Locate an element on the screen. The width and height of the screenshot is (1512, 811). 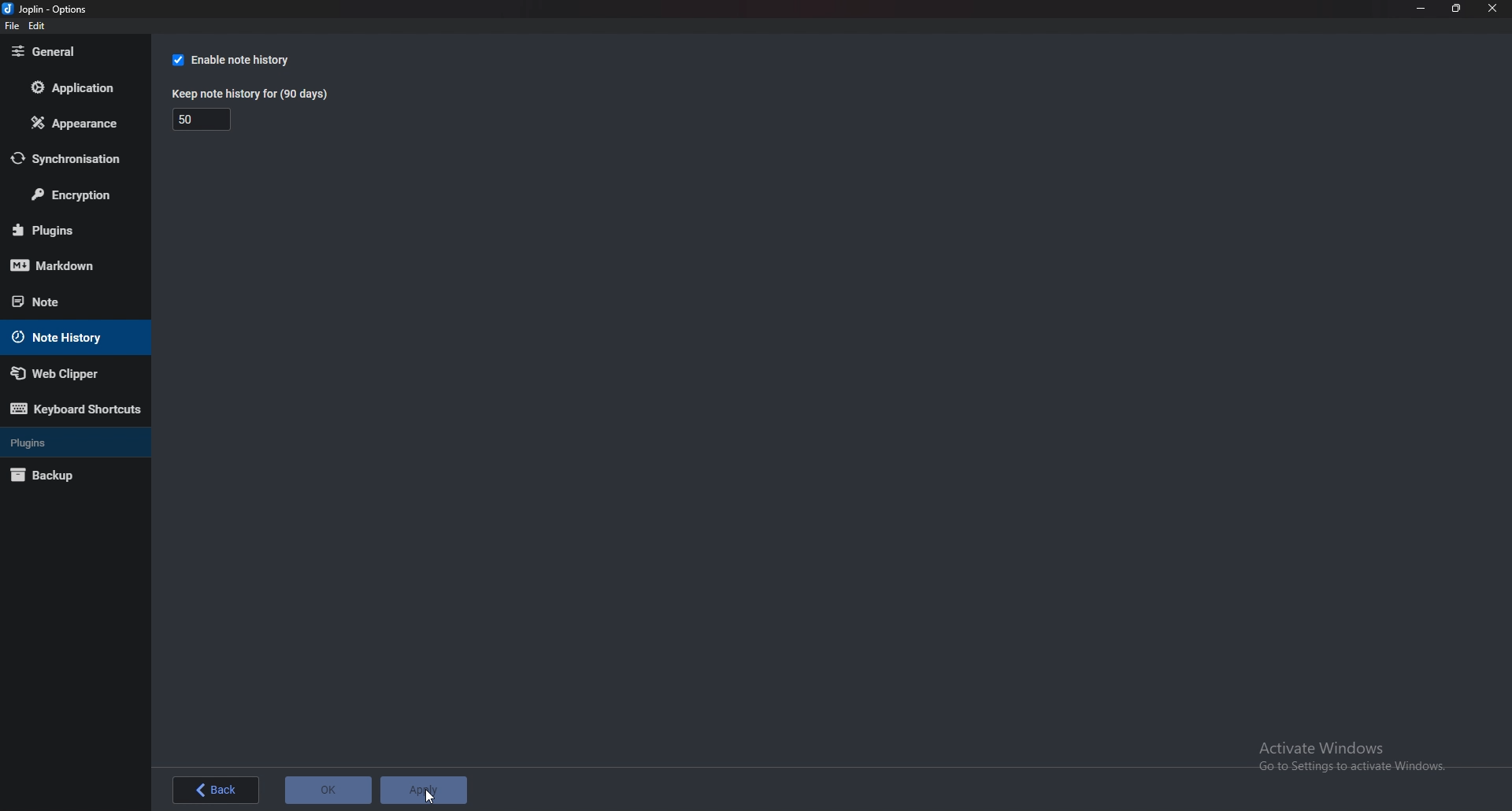
Back up is located at coordinates (63, 476).